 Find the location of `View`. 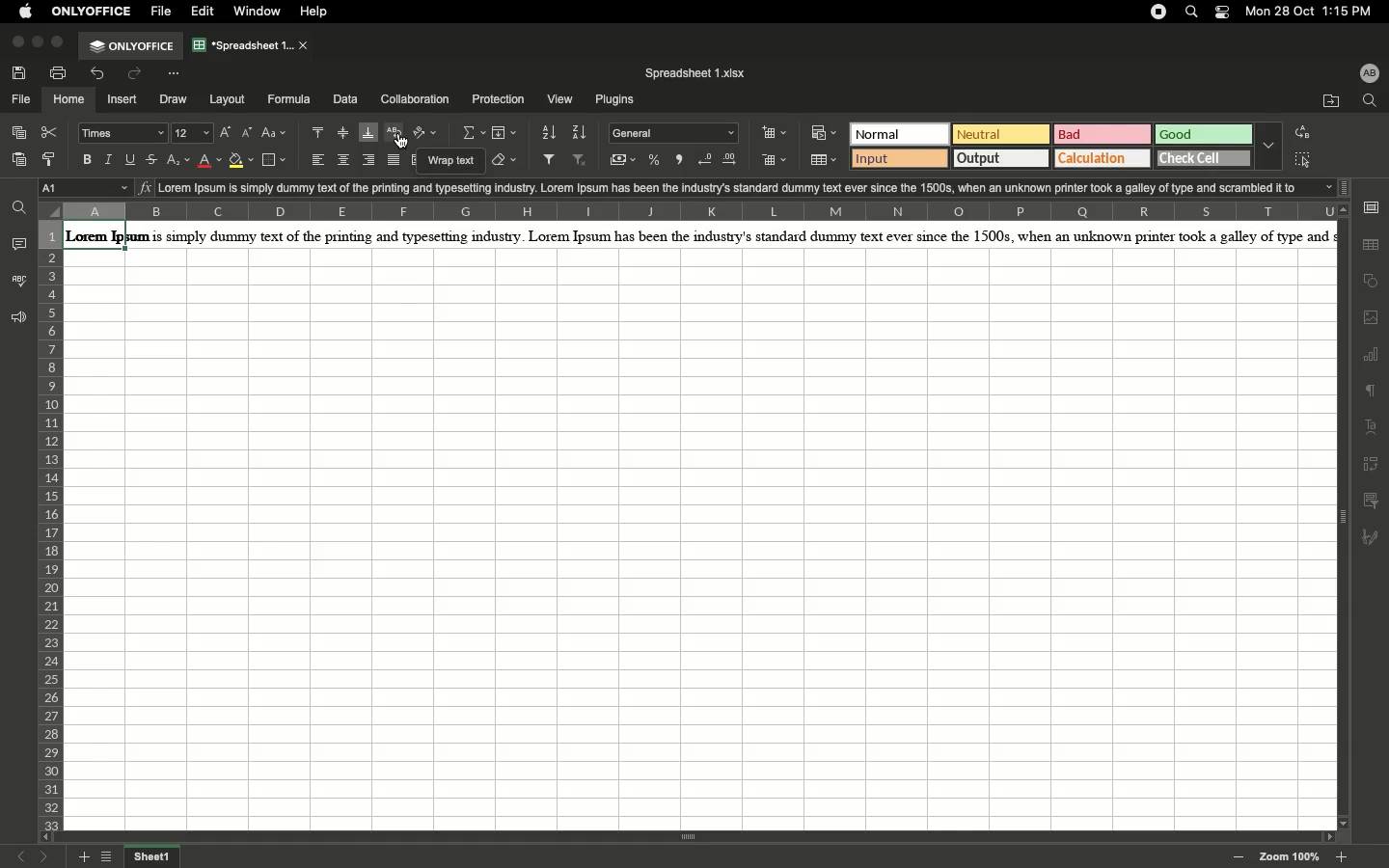

View is located at coordinates (561, 100).